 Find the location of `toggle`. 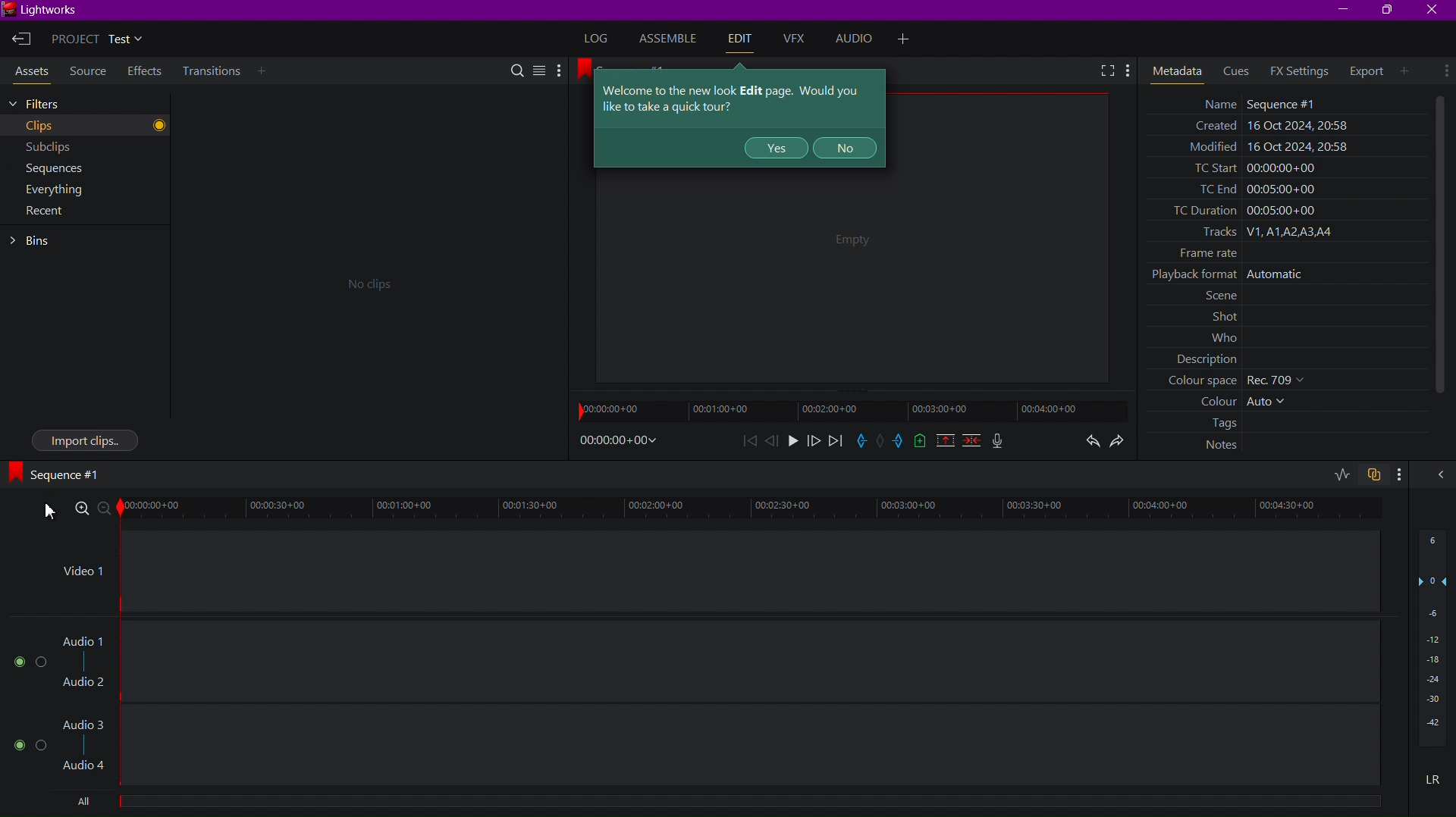

toggle is located at coordinates (1341, 475).